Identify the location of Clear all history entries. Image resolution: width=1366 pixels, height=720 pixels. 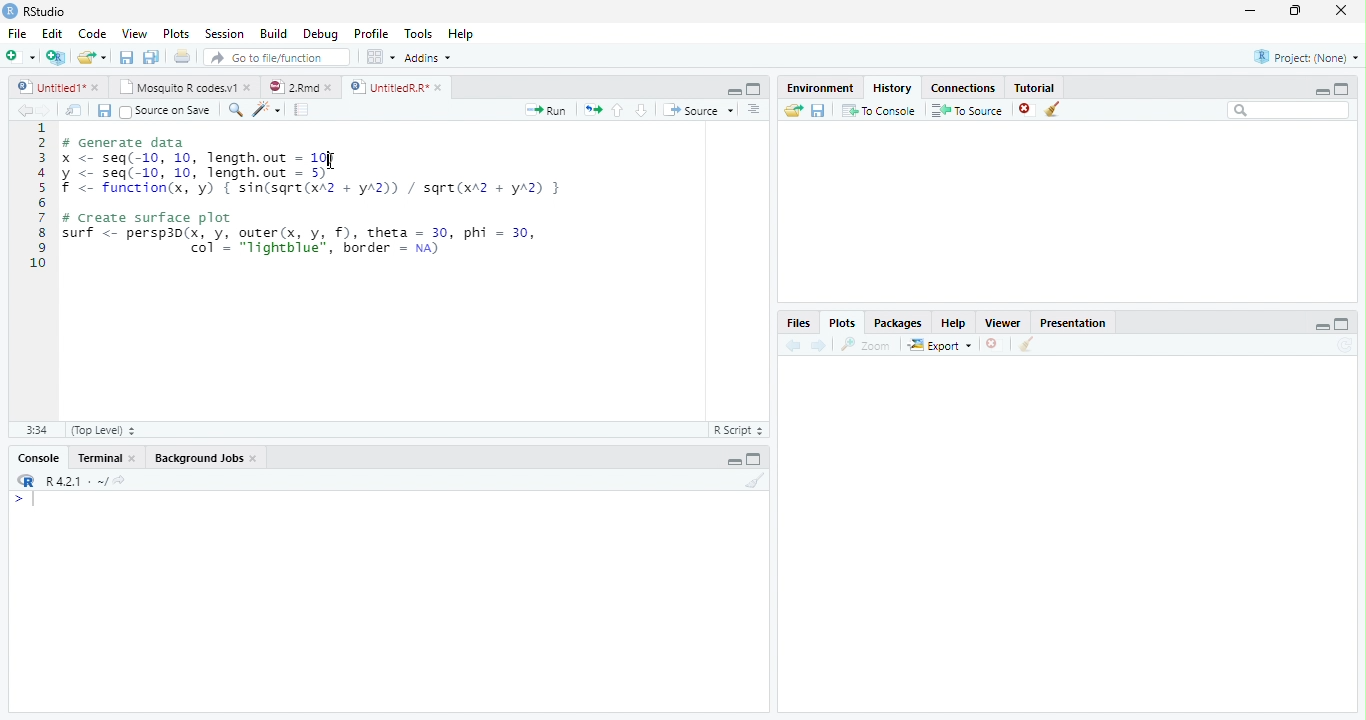
(1052, 109).